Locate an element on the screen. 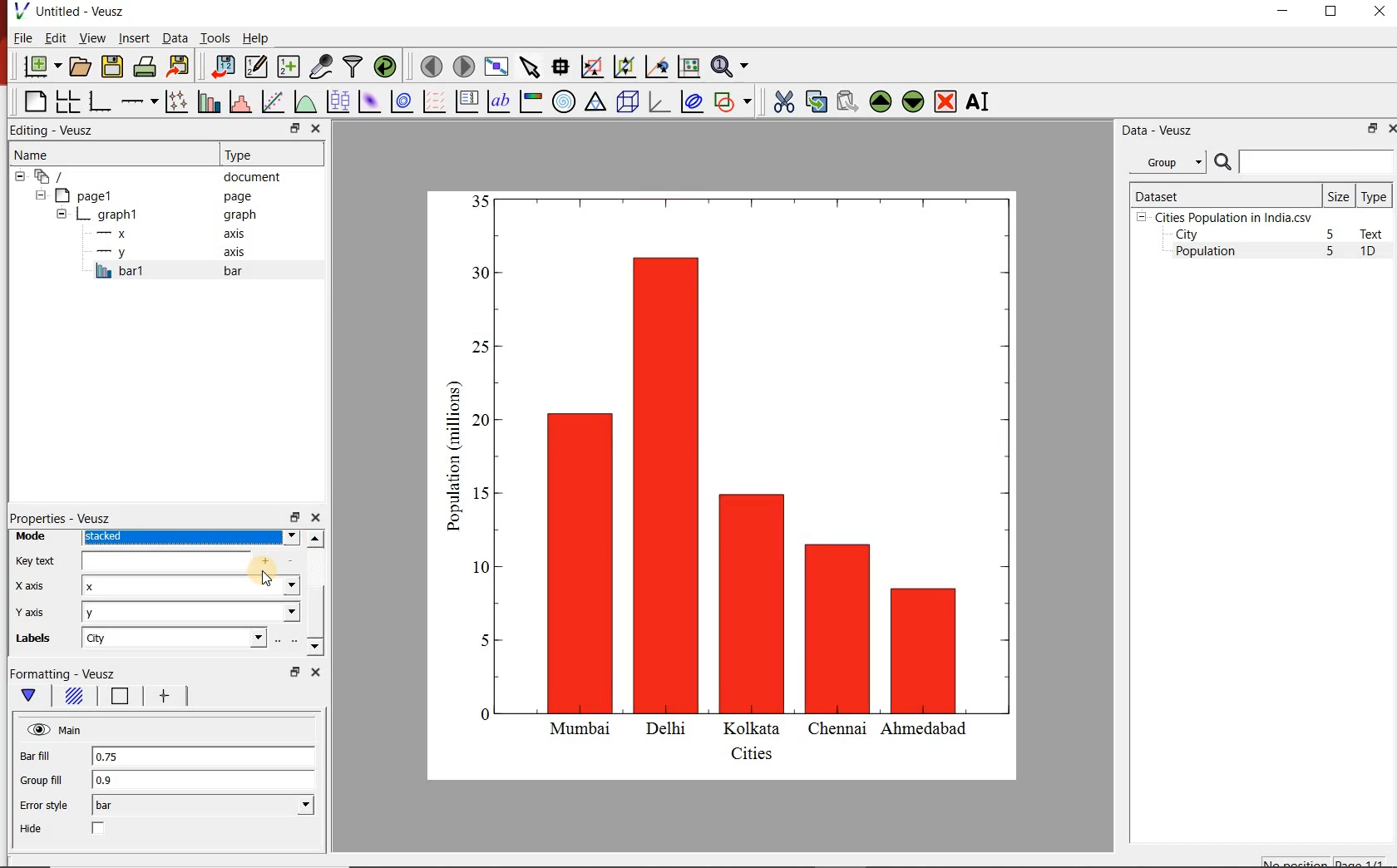 This screenshot has height=868, width=1397. Edit is located at coordinates (54, 38).